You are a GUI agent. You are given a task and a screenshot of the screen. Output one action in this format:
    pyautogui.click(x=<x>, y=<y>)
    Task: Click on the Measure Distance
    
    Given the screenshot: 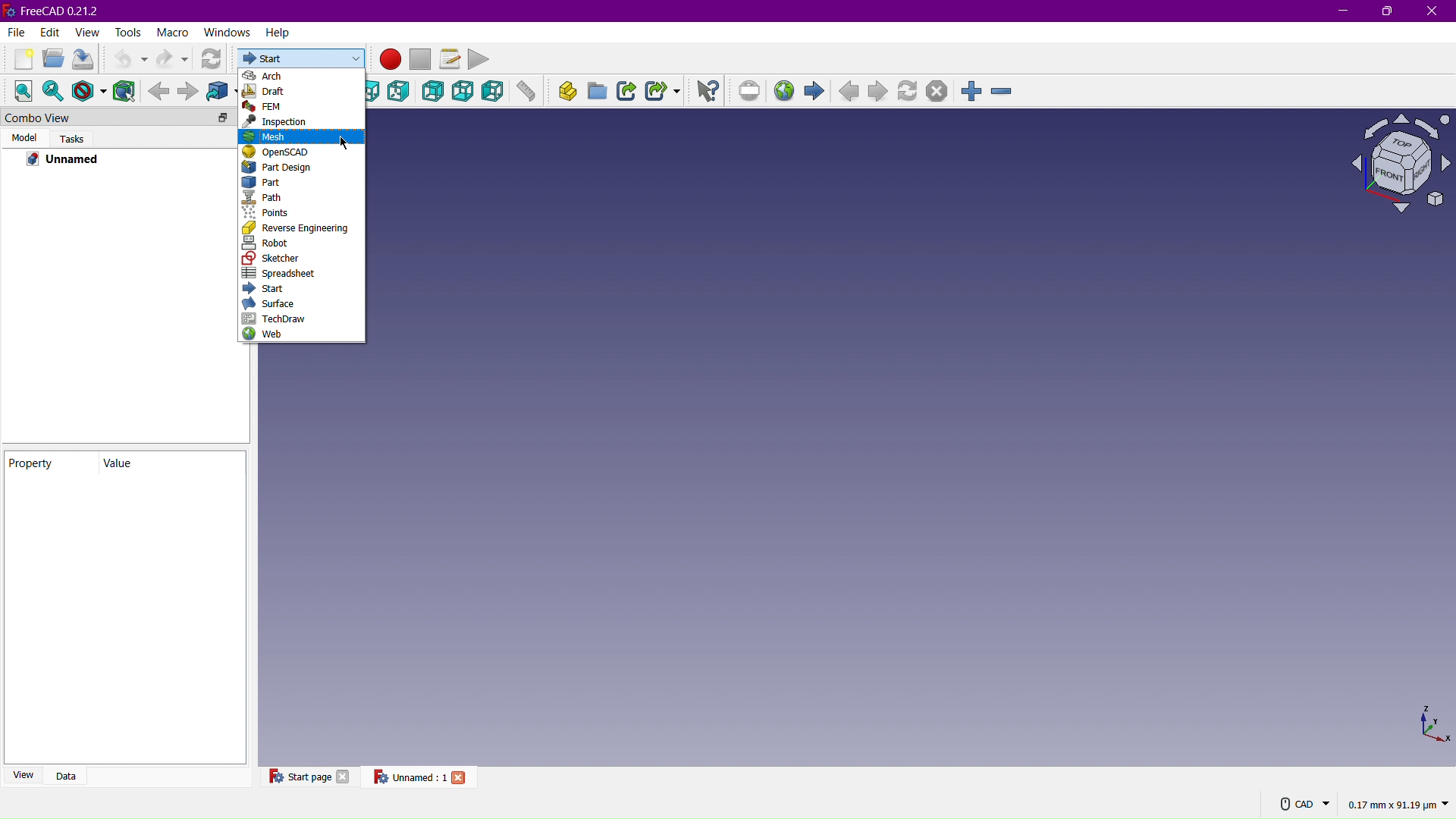 What is the action you would take?
    pyautogui.click(x=526, y=94)
    